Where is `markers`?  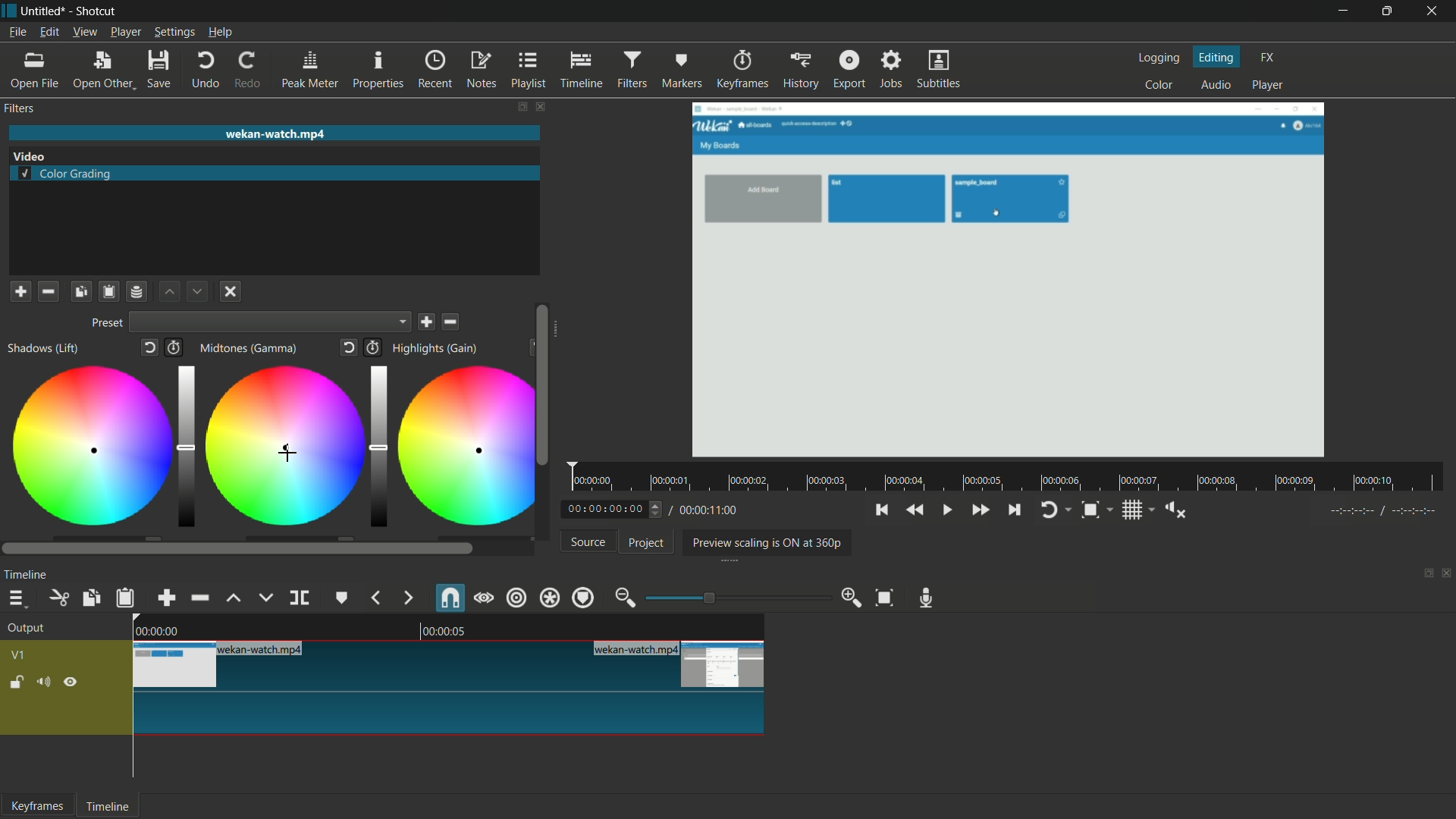
markers is located at coordinates (682, 69).